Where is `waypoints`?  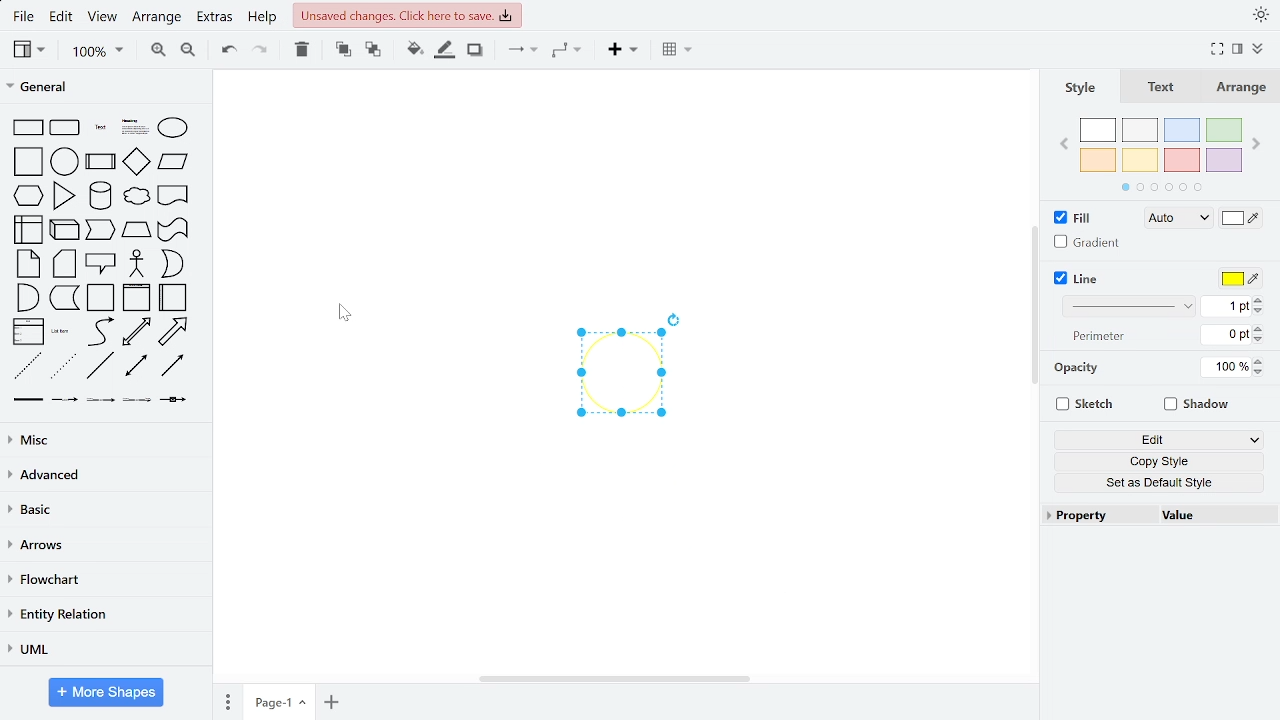 waypoints is located at coordinates (567, 50).